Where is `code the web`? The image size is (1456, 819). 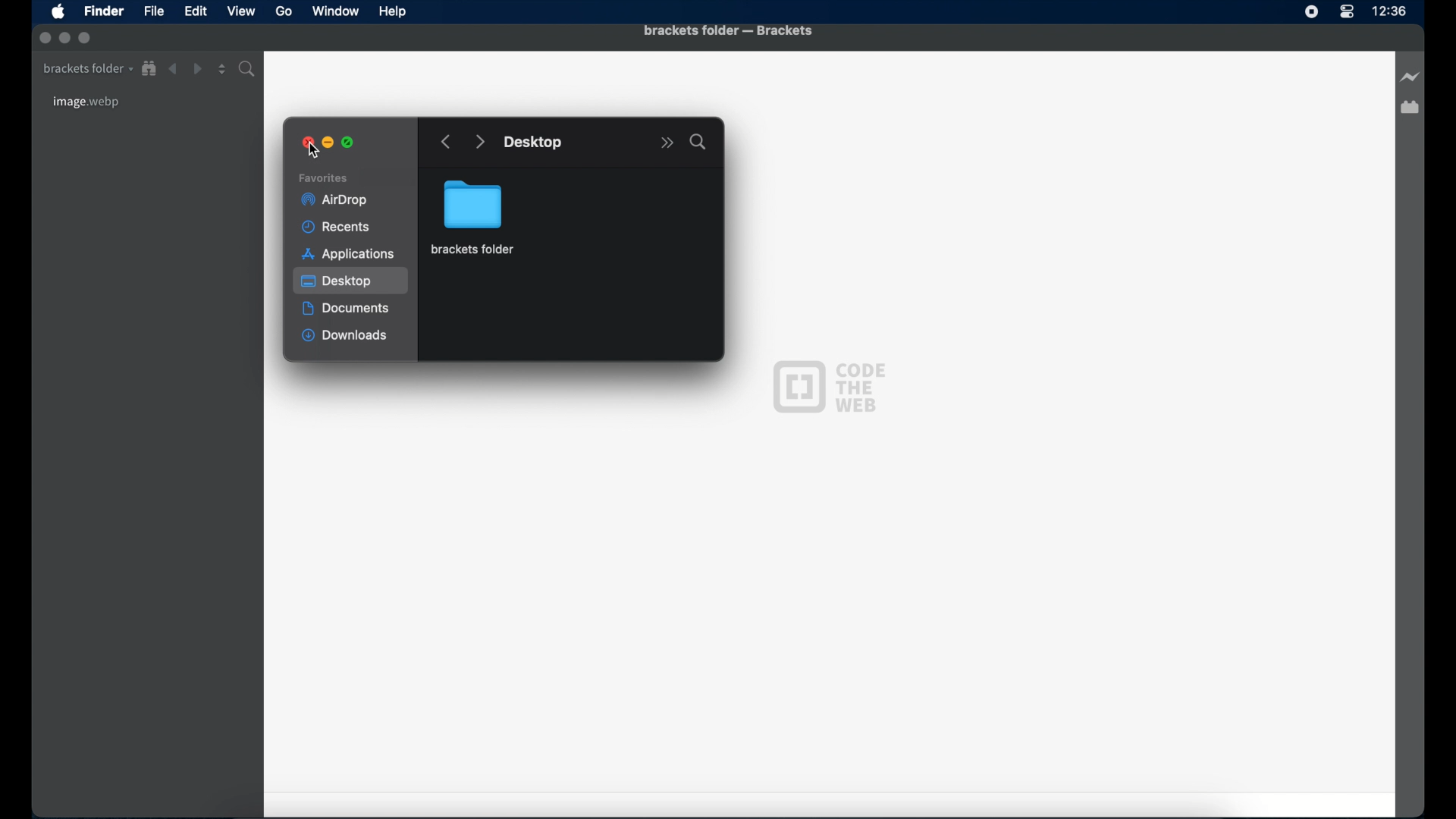 code the web is located at coordinates (829, 385).